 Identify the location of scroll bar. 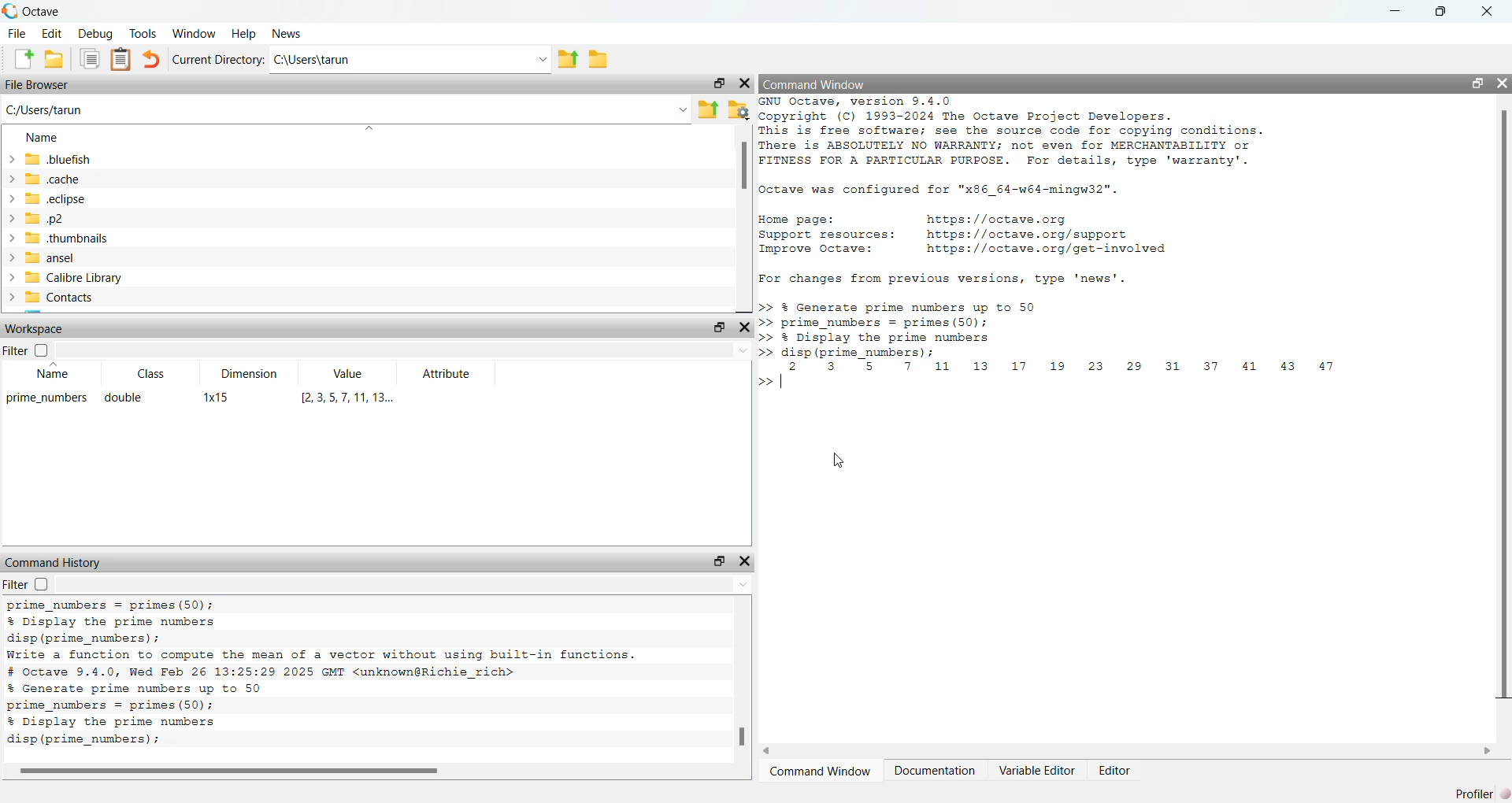
(234, 772).